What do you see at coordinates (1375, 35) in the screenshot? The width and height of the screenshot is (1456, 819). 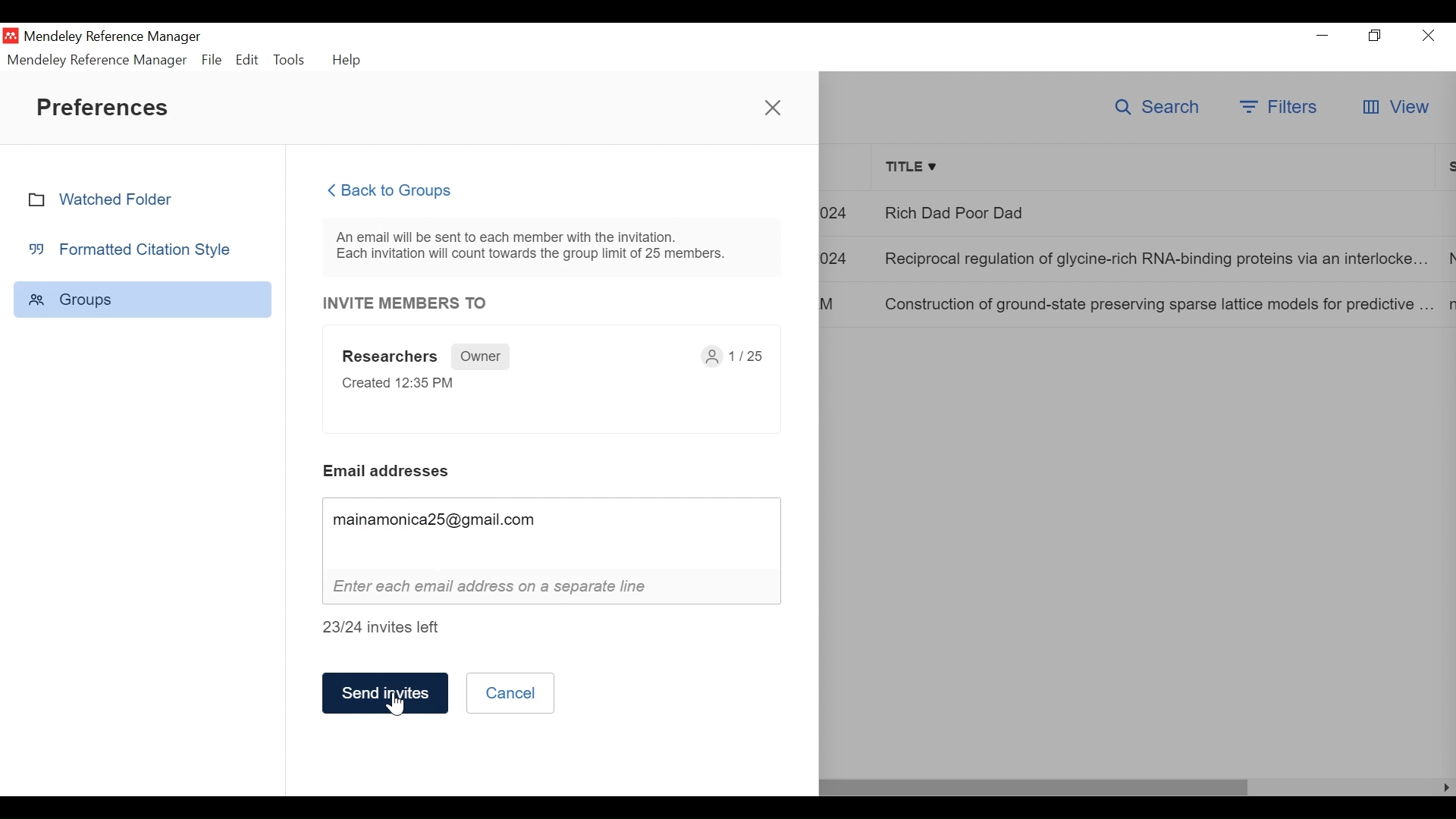 I see `Restore` at bounding box center [1375, 35].